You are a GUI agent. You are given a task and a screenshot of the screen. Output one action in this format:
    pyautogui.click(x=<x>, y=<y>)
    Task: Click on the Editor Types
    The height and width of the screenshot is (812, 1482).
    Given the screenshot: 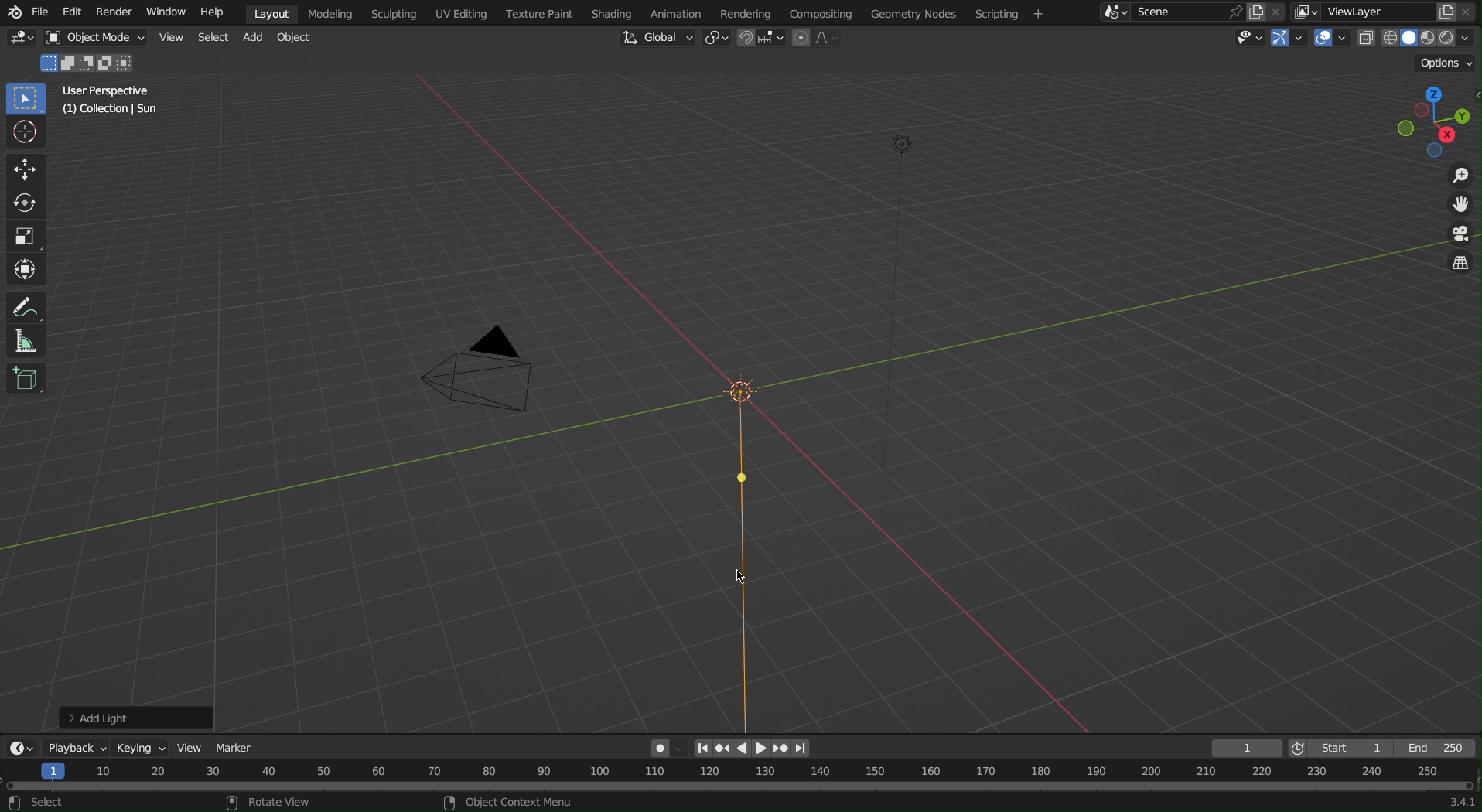 What is the action you would take?
    pyautogui.click(x=19, y=745)
    